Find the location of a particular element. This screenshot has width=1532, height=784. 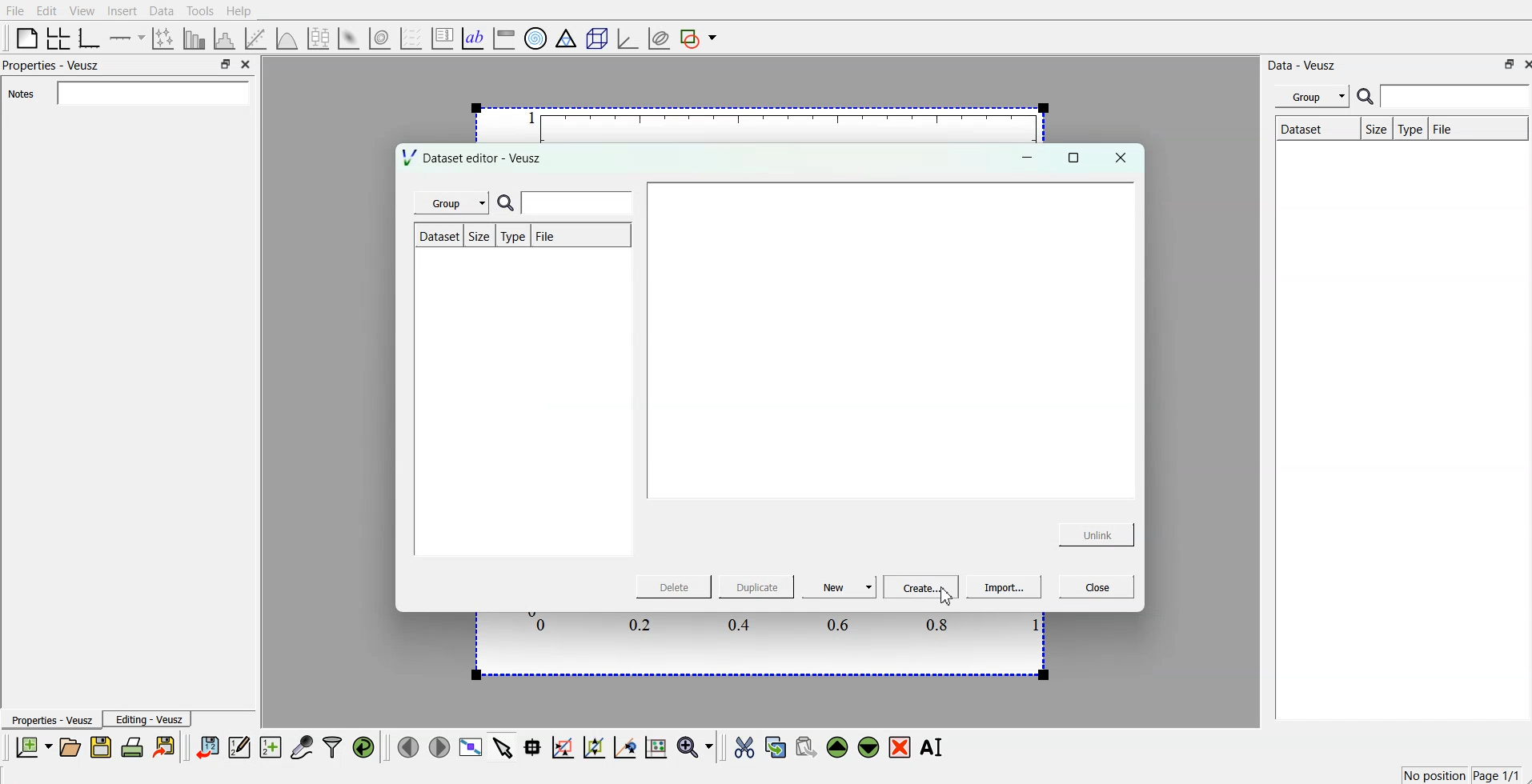

plot box plots is located at coordinates (321, 38).